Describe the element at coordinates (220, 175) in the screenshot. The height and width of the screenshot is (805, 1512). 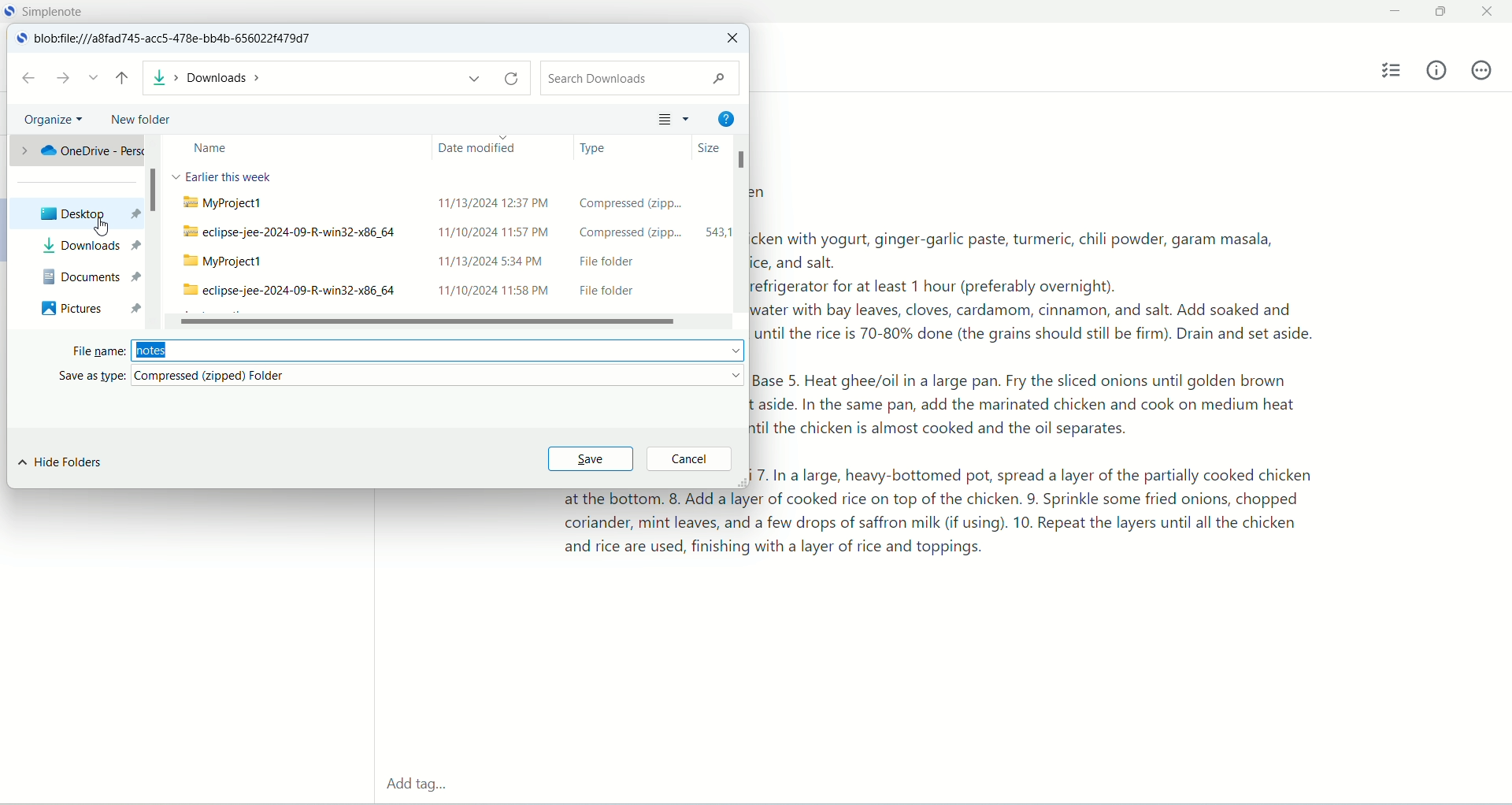
I see `earlier this week` at that location.